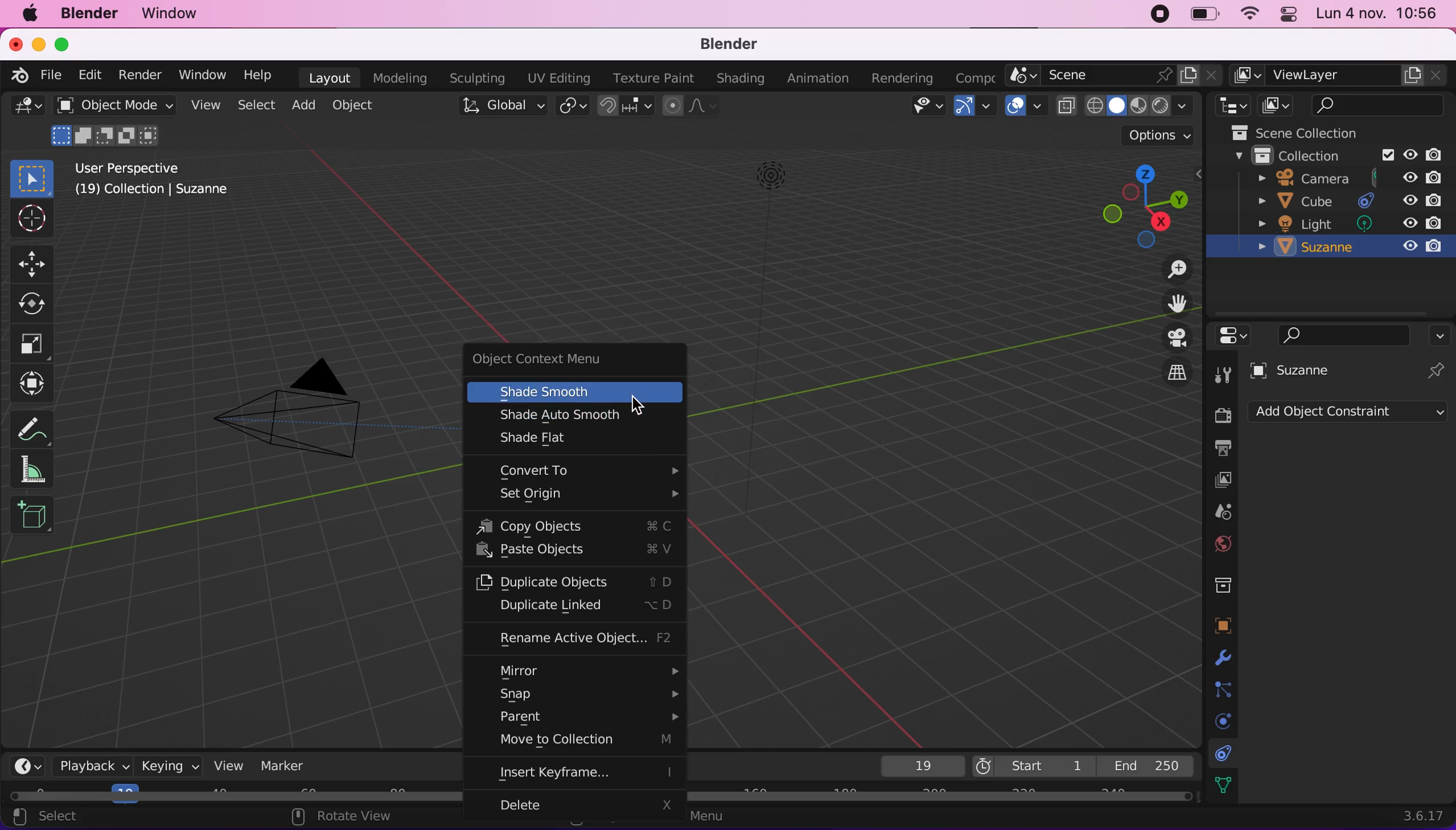 Image resolution: width=1456 pixels, height=830 pixels. Describe the element at coordinates (1333, 76) in the screenshot. I see `viewlayer` at that location.